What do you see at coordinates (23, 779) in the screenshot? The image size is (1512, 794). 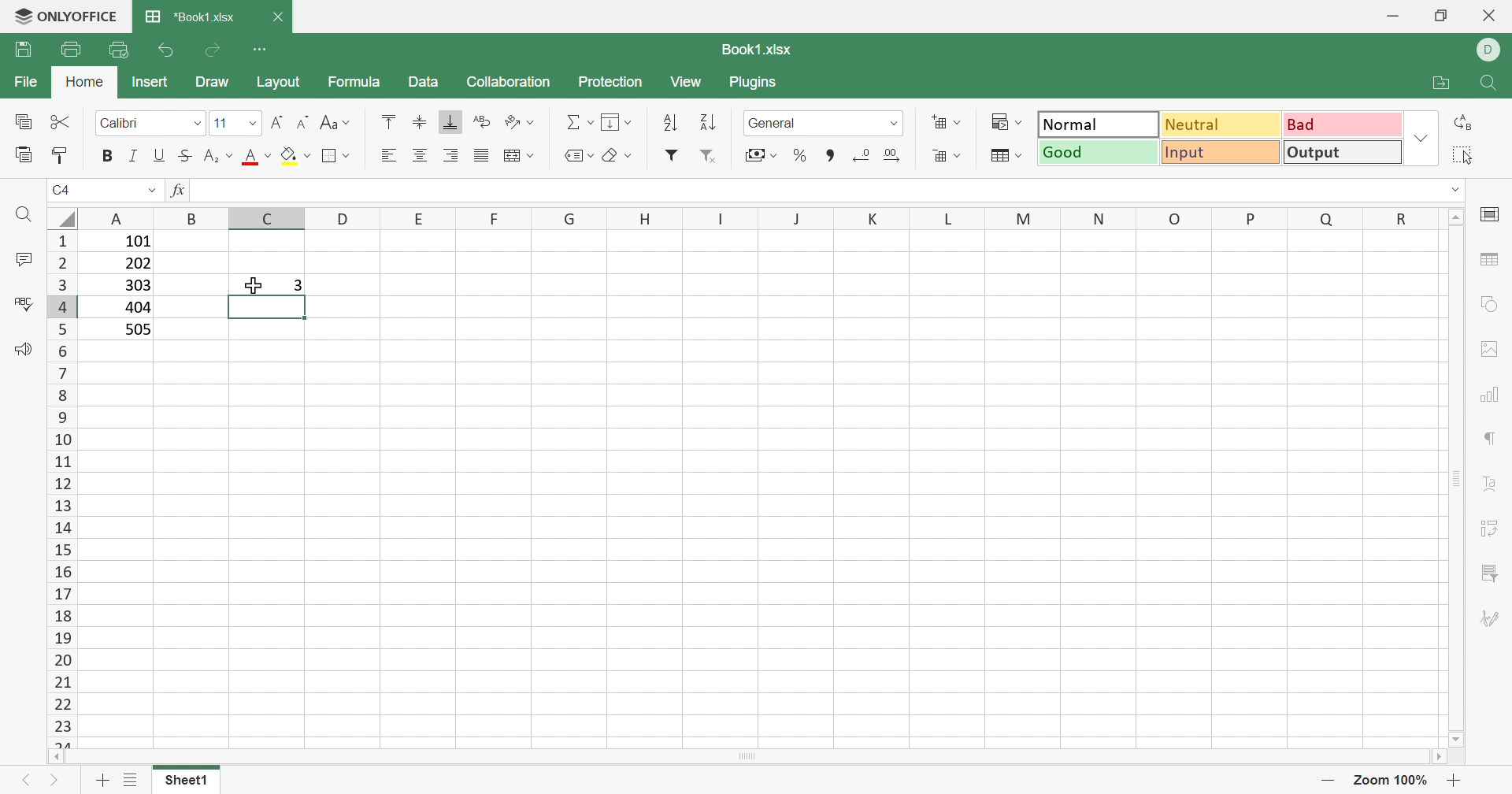 I see `Previous` at bounding box center [23, 779].